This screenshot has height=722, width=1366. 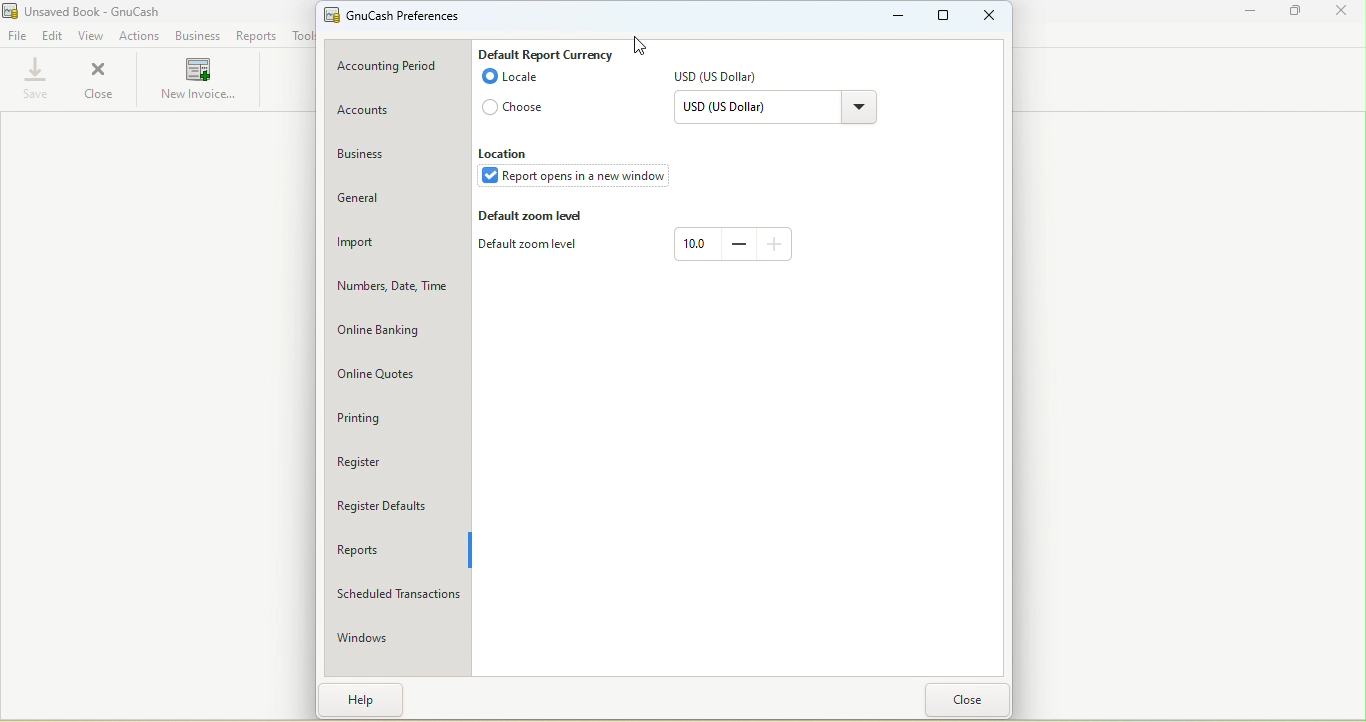 What do you see at coordinates (899, 15) in the screenshot?
I see `Minimize` at bounding box center [899, 15].